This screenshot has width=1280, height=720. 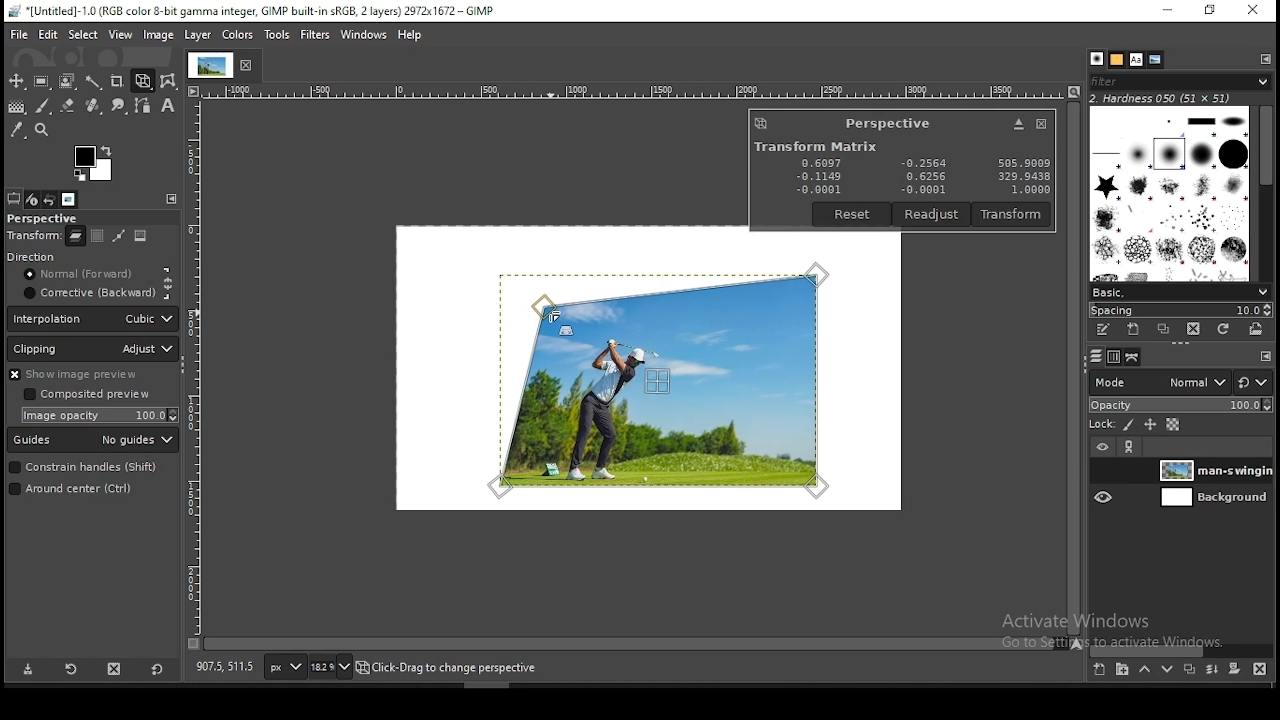 What do you see at coordinates (69, 103) in the screenshot?
I see `eraser tool` at bounding box center [69, 103].